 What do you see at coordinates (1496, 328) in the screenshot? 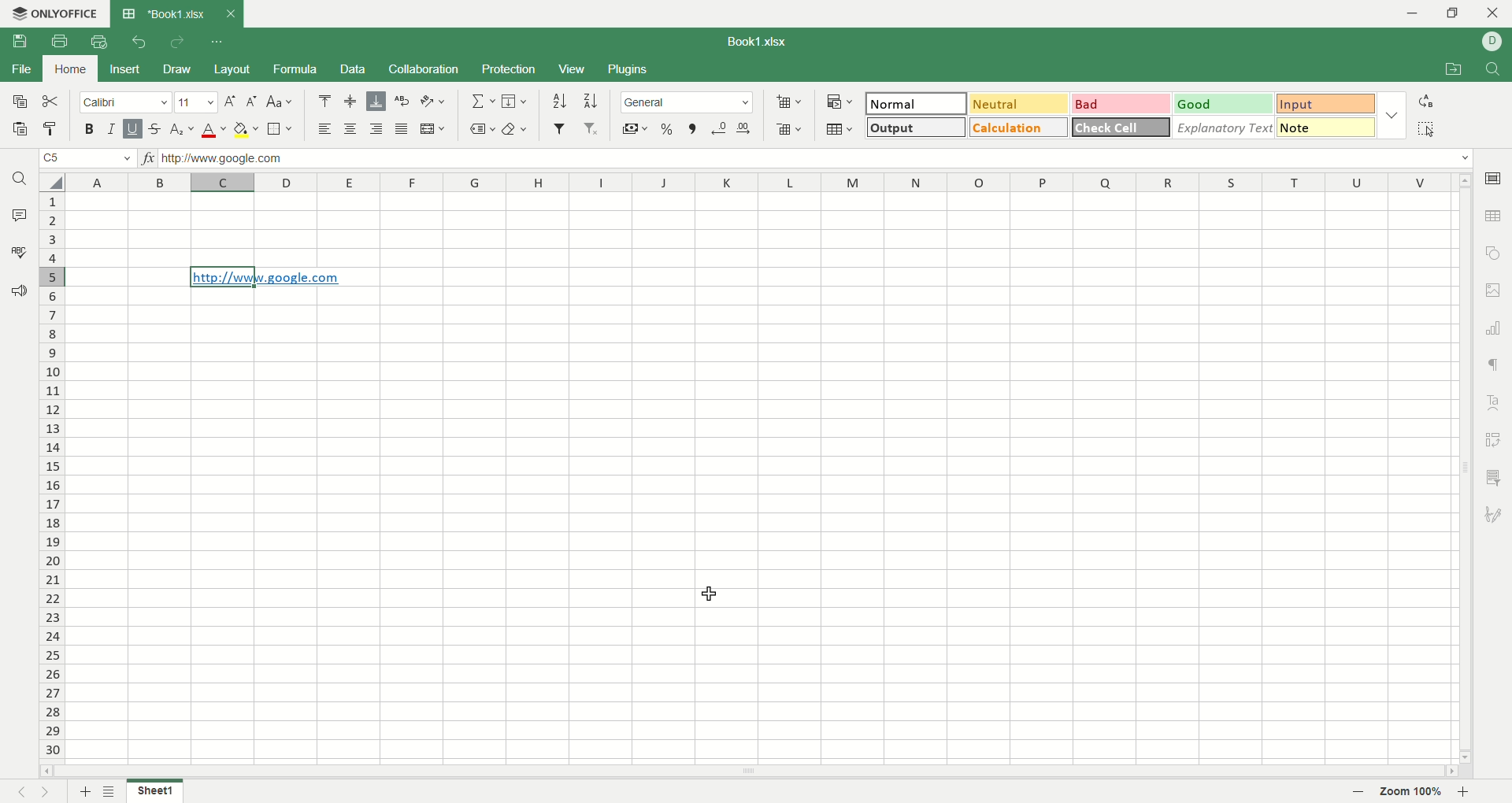
I see `chart setting` at bounding box center [1496, 328].